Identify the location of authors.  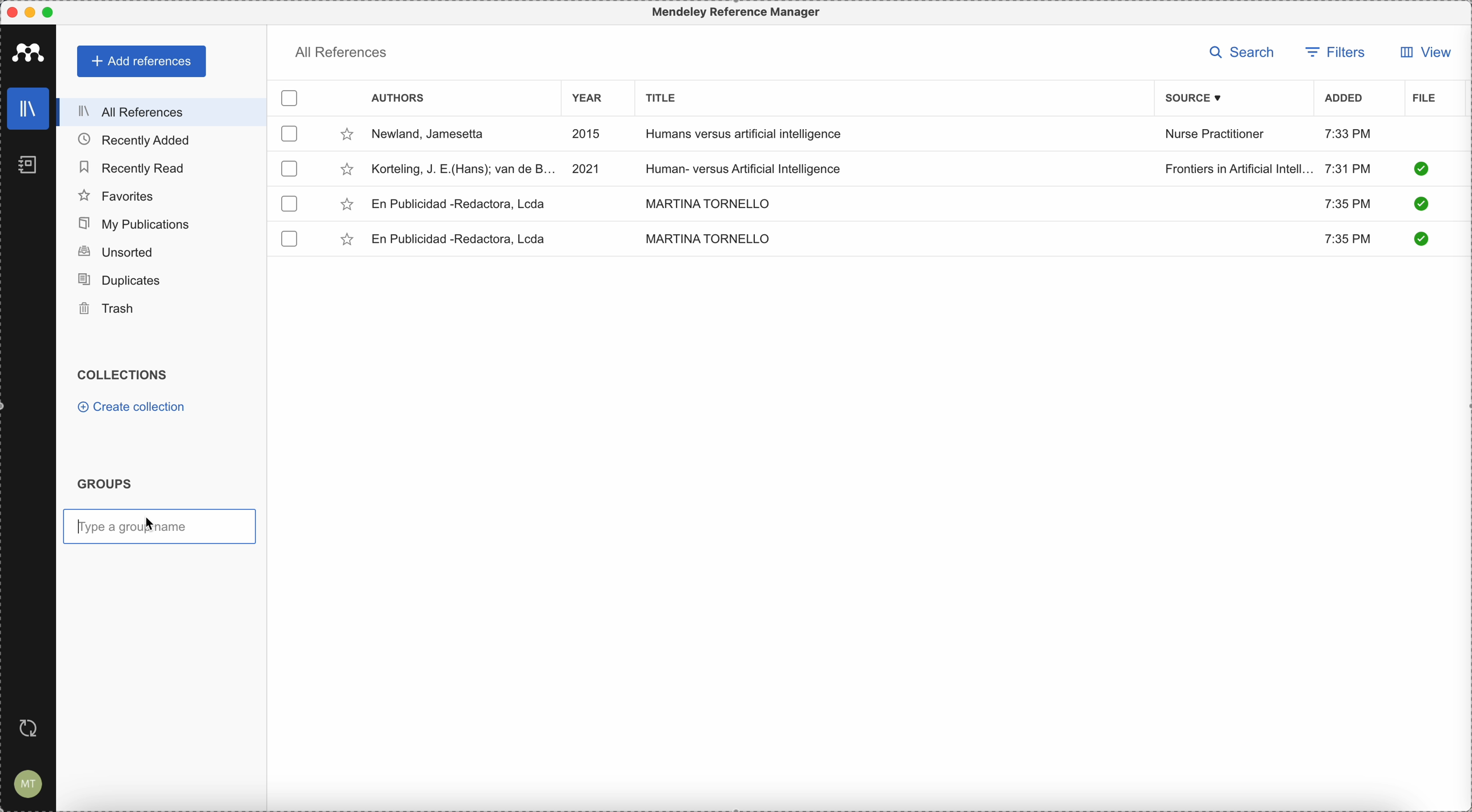
(398, 99).